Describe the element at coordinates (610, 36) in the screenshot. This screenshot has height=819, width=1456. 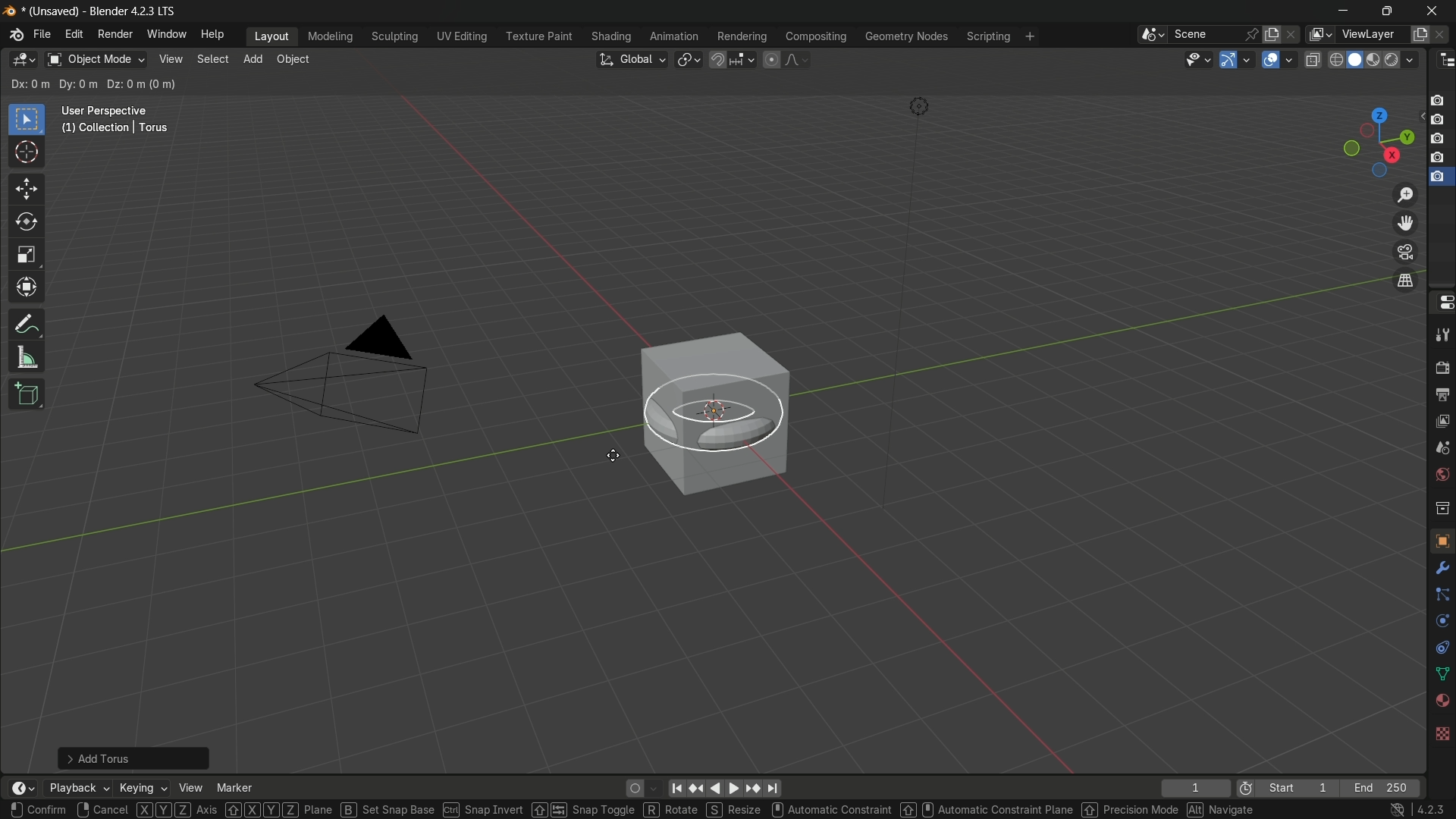
I see `shading` at that location.